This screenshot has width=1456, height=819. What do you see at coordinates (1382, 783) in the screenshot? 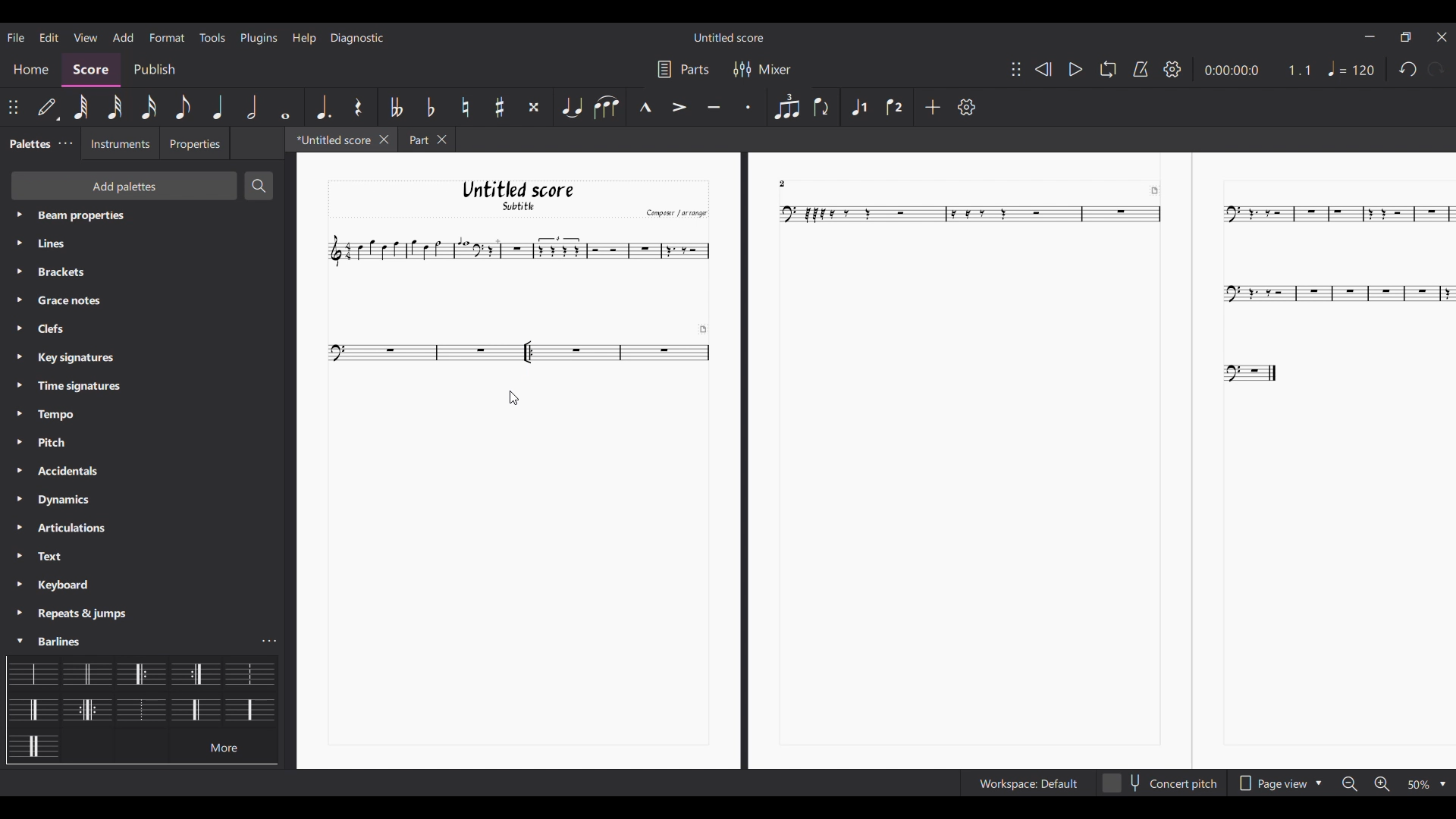
I see `Zoom in` at bounding box center [1382, 783].